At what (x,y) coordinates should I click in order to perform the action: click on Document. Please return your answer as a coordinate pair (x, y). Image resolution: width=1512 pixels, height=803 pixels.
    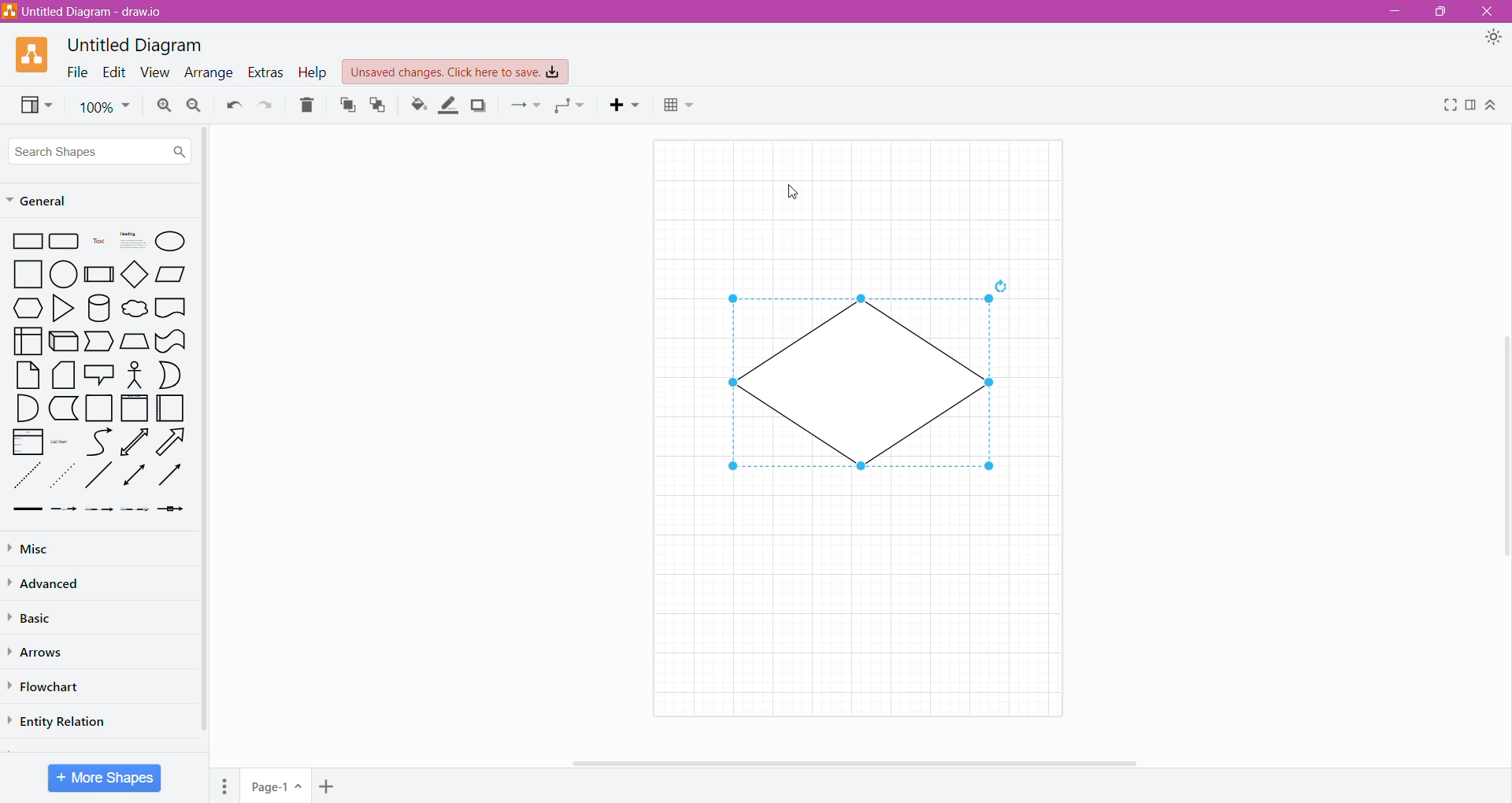
    Looking at the image, I should click on (171, 309).